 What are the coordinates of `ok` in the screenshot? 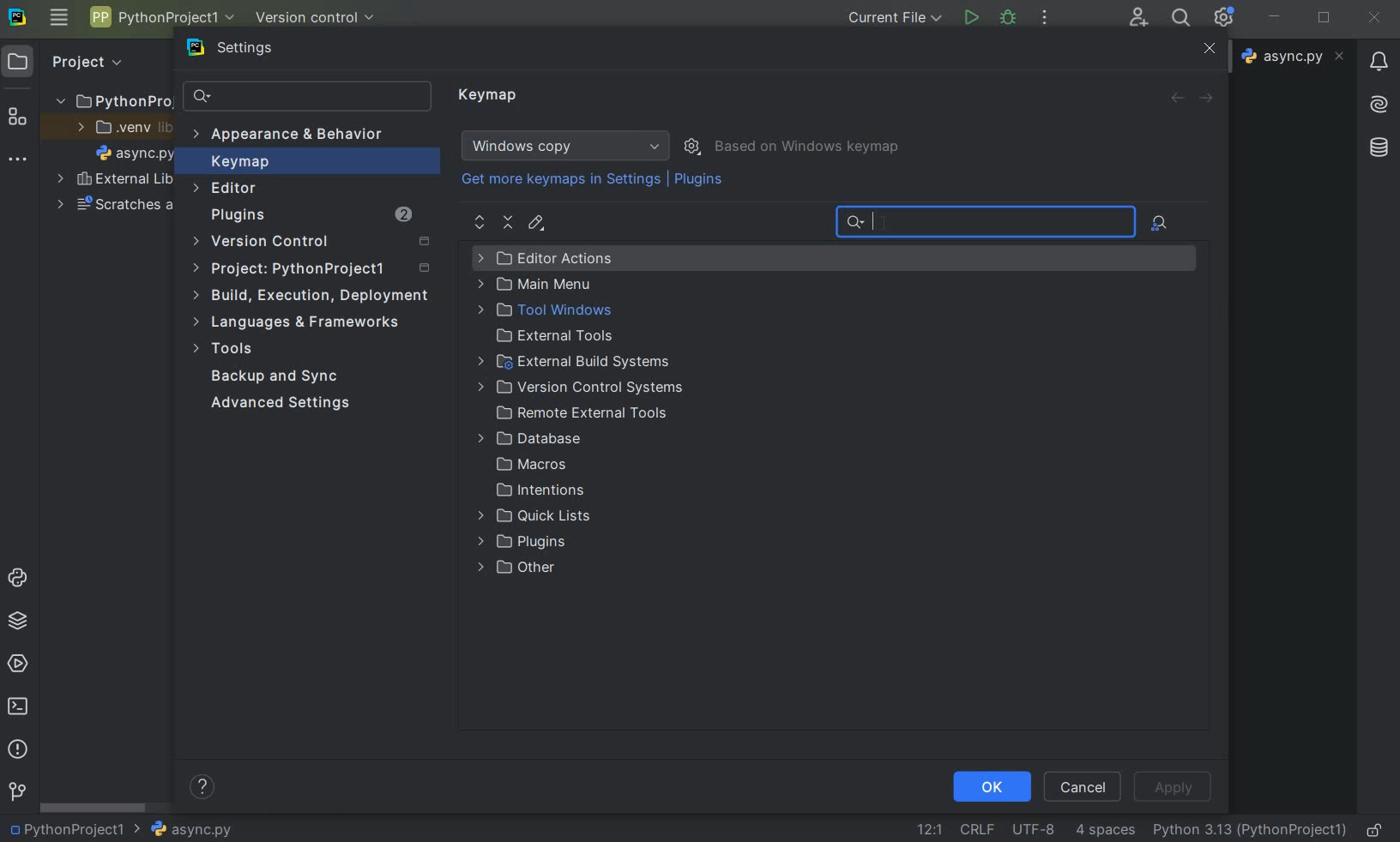 It's located at (991, 785).